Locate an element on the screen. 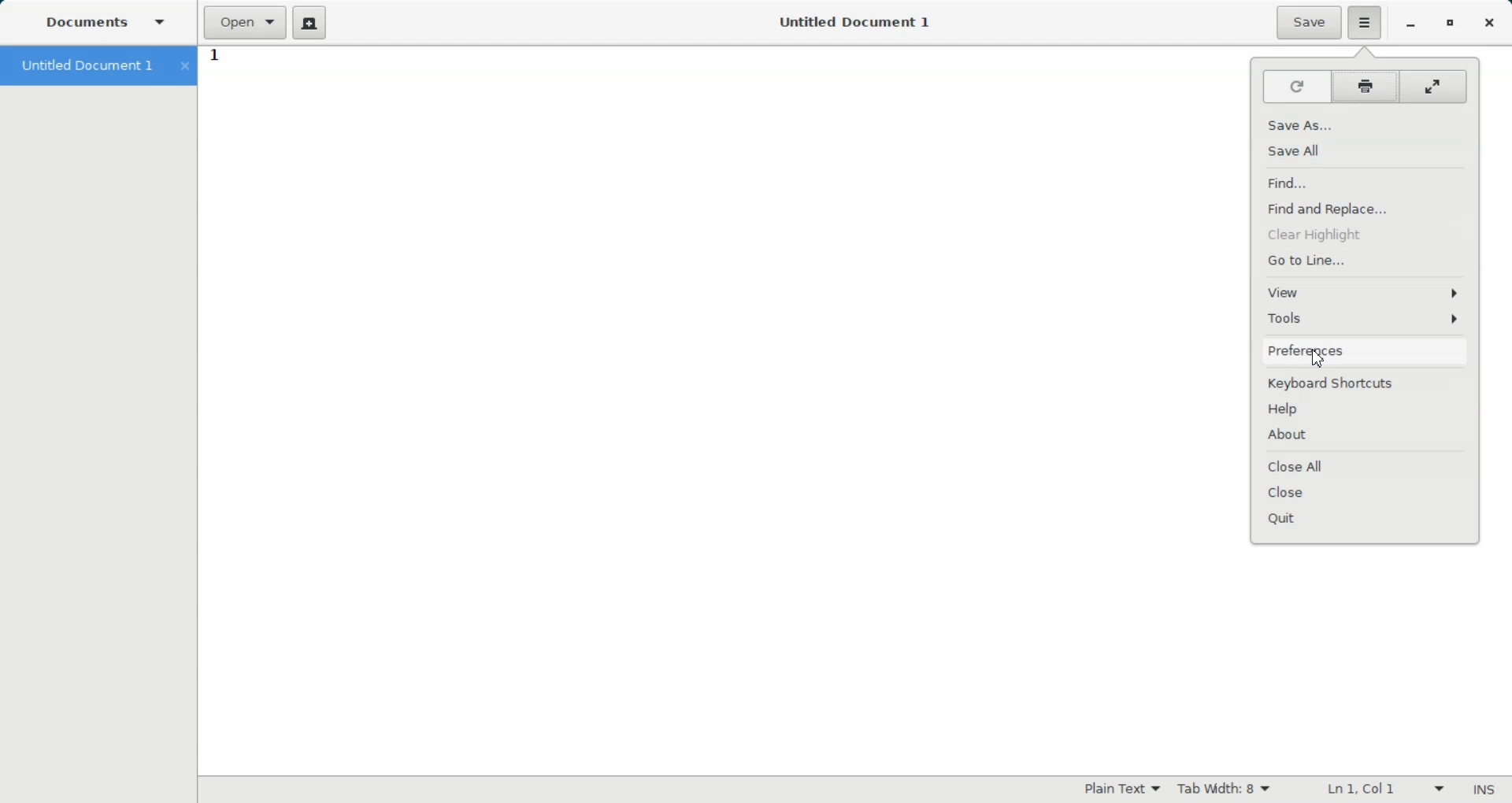  Insert is located at coordinates (1483, 791).